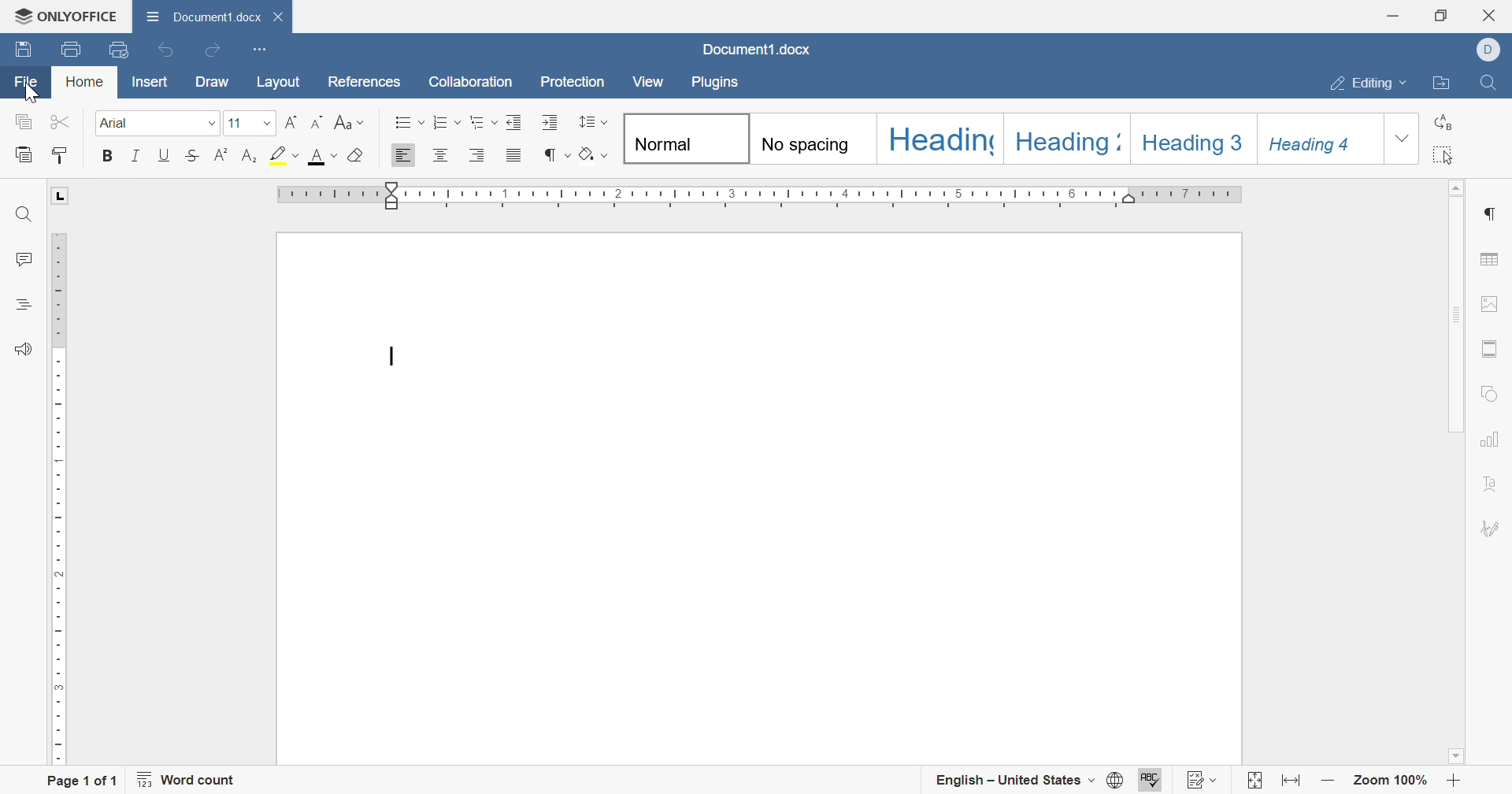 The image size is (1512, 794). Describe the element at coordinates (69, 47) in the screenshot. I see `print` at that location.